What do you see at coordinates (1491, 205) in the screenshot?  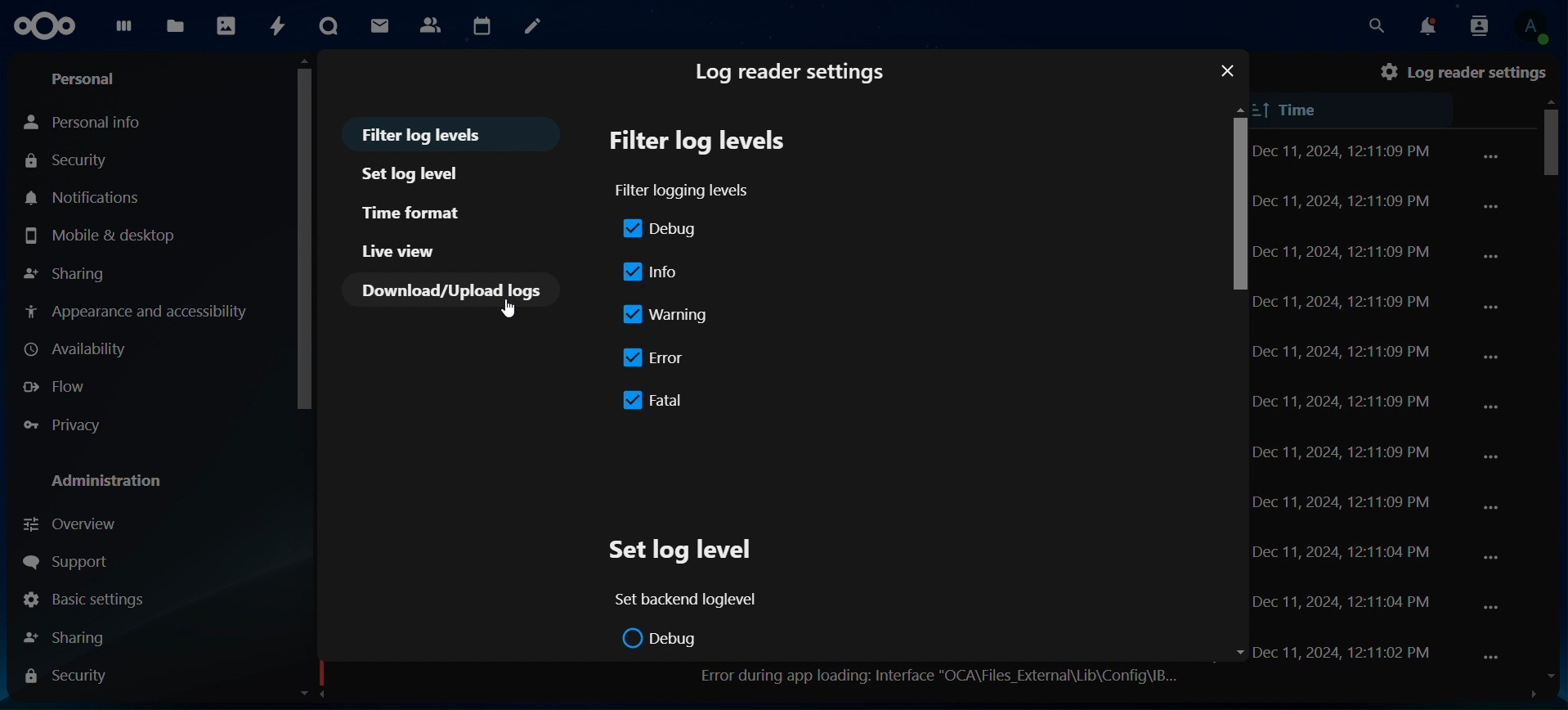 I see `...` at bounding box center [1491, 205].